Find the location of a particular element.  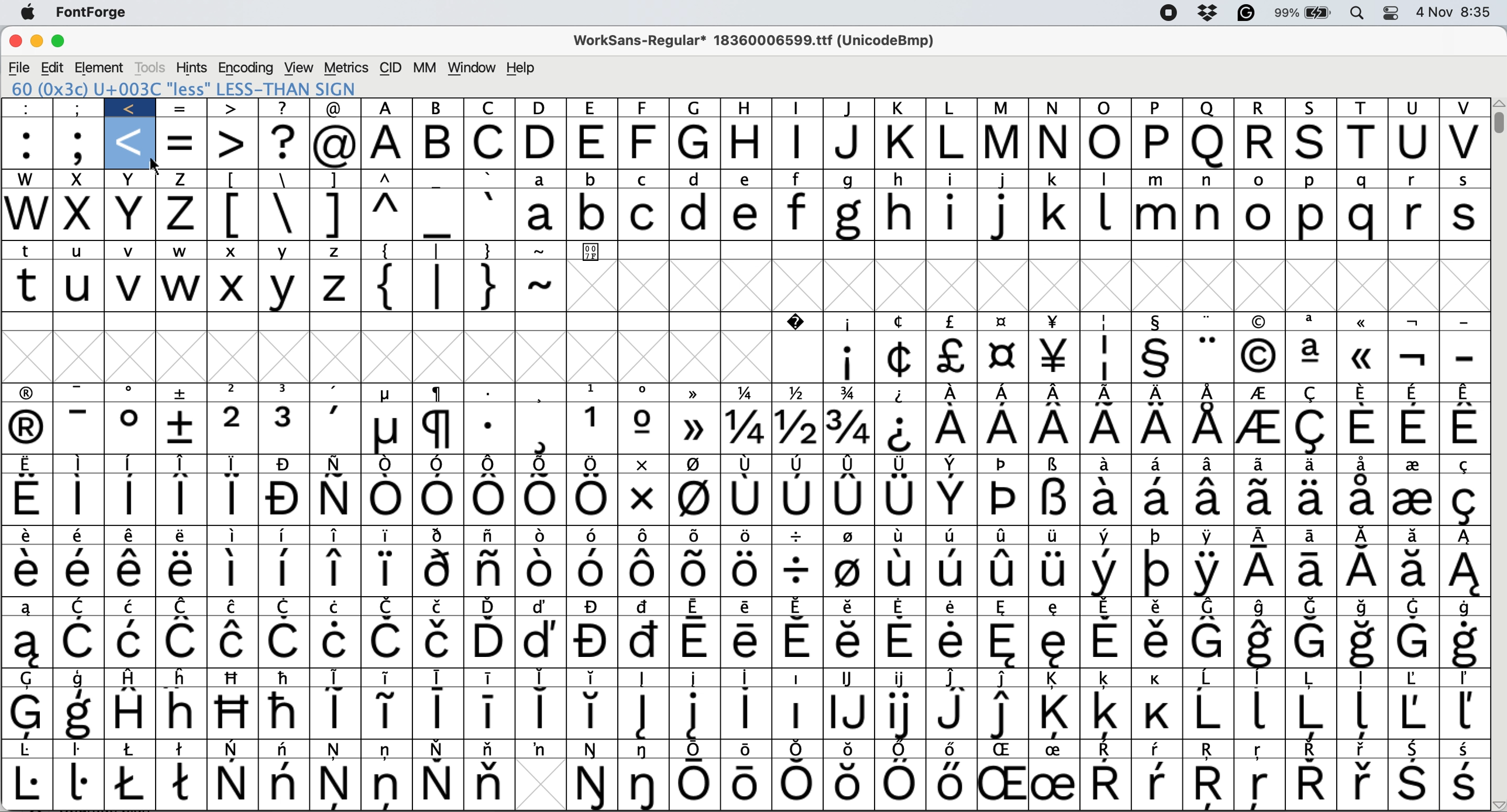

Symbol is located at coordinates (951, 570).